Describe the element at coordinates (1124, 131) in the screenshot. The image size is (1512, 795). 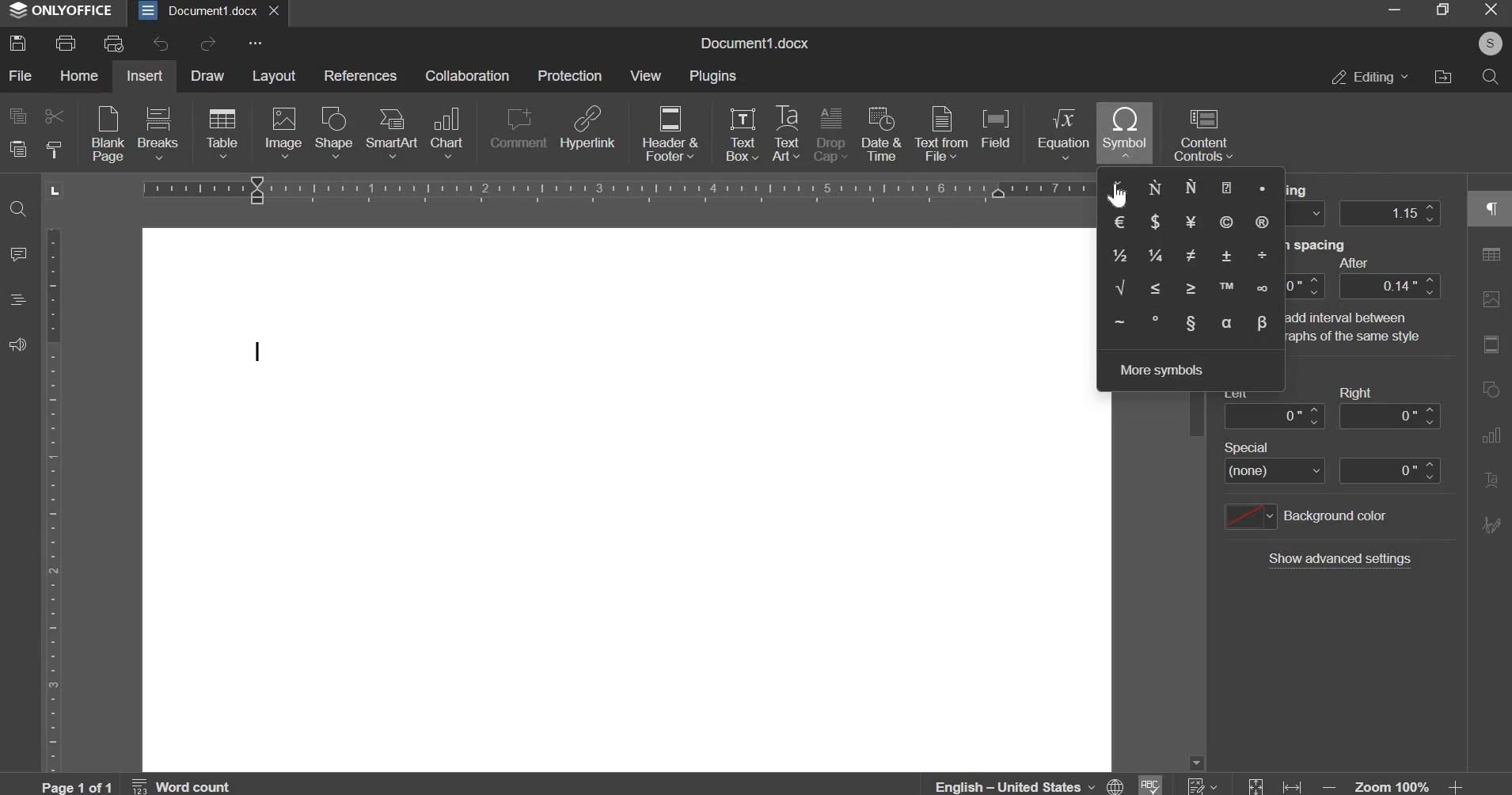
I see `symbol` at that location.